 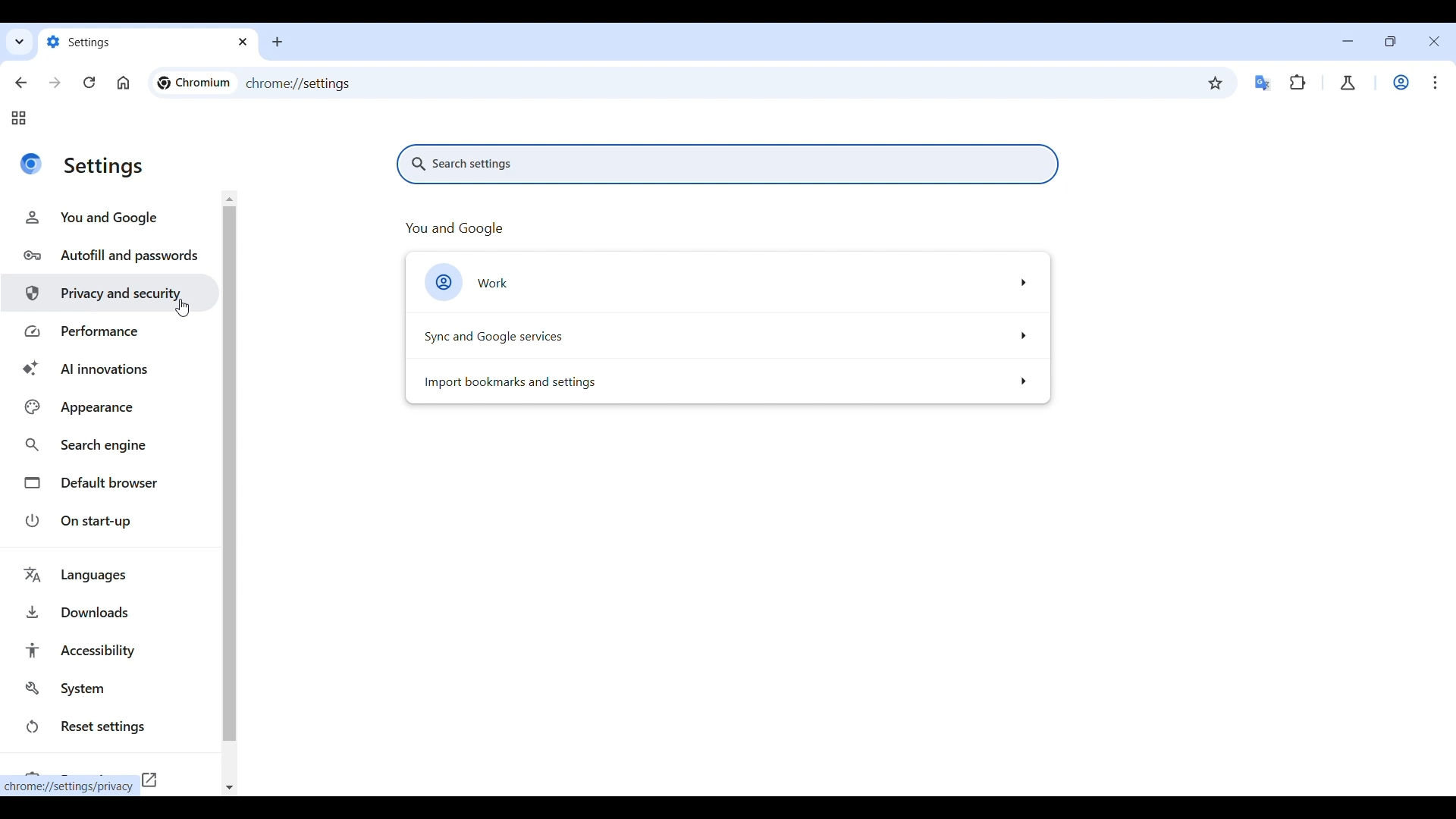 I want to click on Downloads, so click(x=111, y=612).